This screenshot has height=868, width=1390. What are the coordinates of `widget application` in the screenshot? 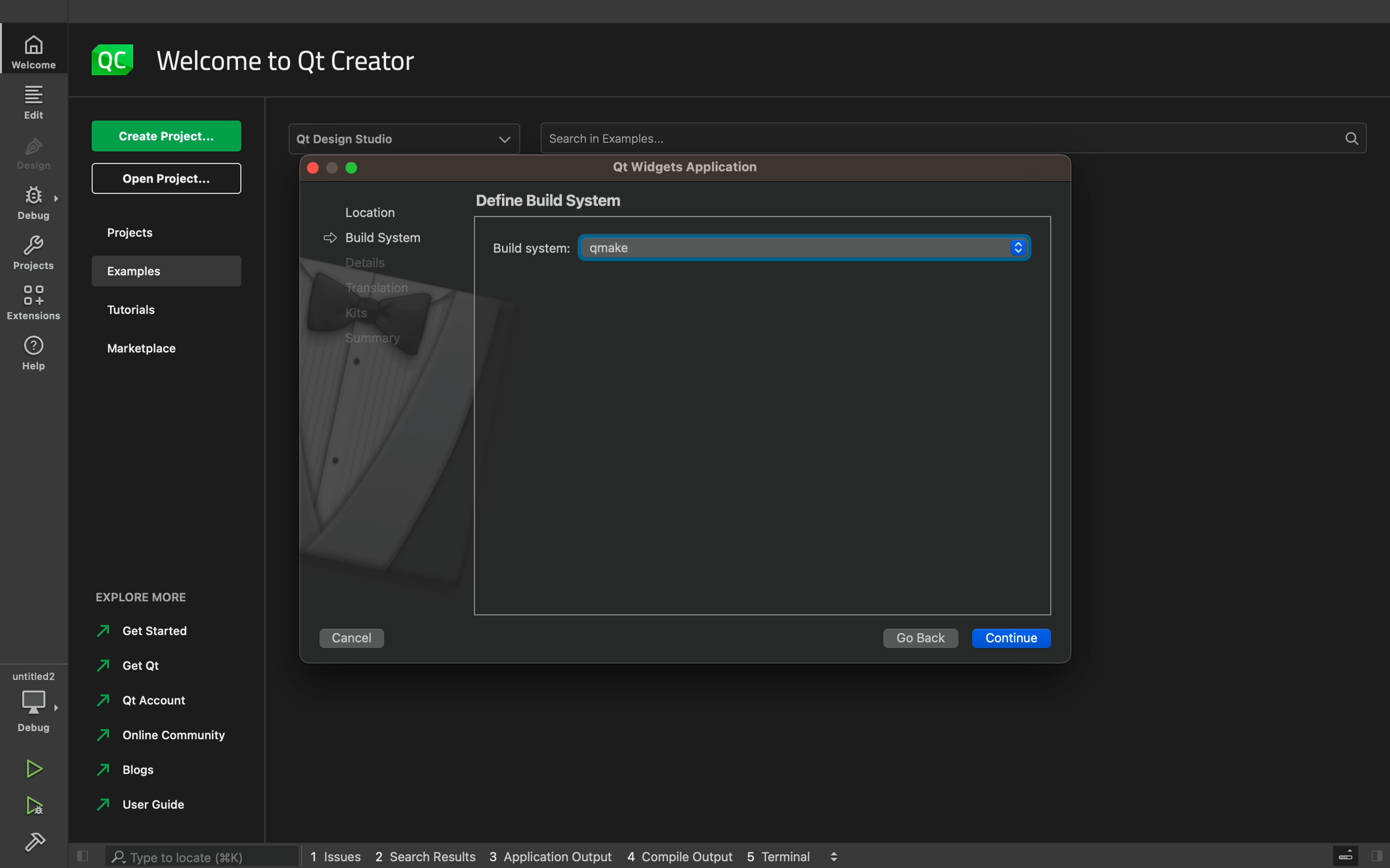 It's located at (681, 167).